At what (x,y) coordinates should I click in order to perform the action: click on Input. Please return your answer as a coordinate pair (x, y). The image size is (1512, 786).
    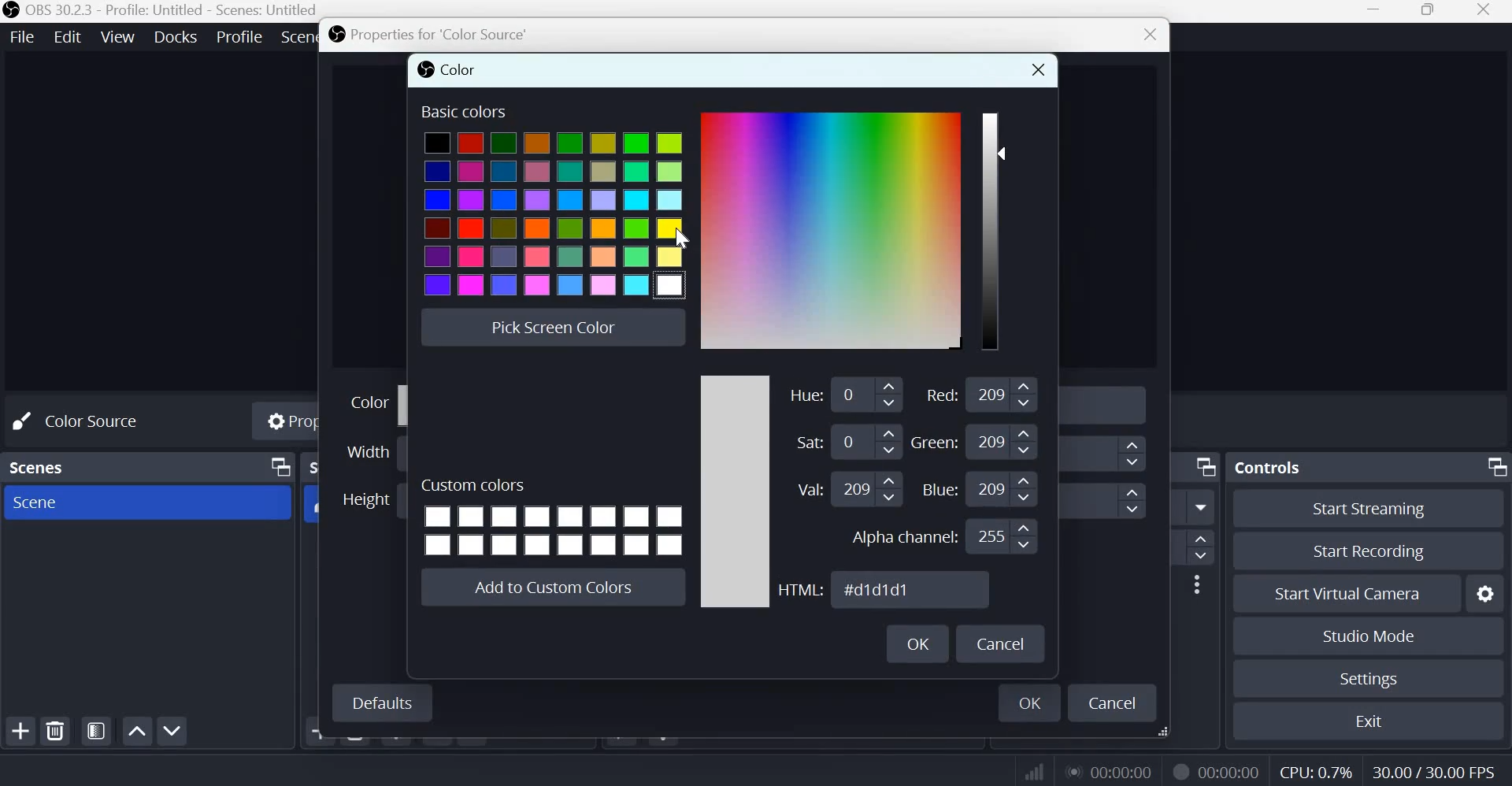
    Looking at the image, I should click on (868, 490).